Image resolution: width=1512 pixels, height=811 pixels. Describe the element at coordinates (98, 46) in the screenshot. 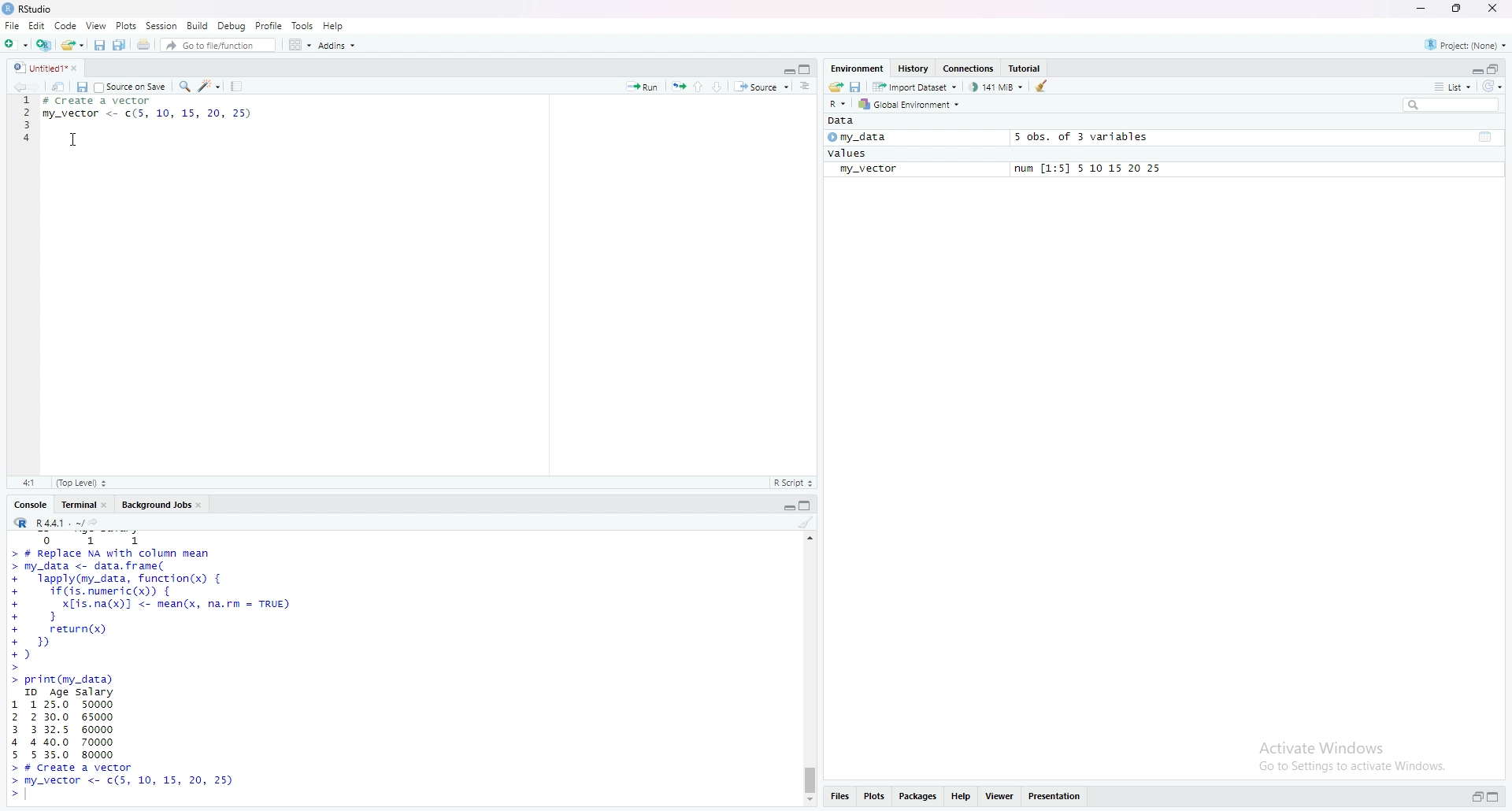

I see `save current document` at that location.